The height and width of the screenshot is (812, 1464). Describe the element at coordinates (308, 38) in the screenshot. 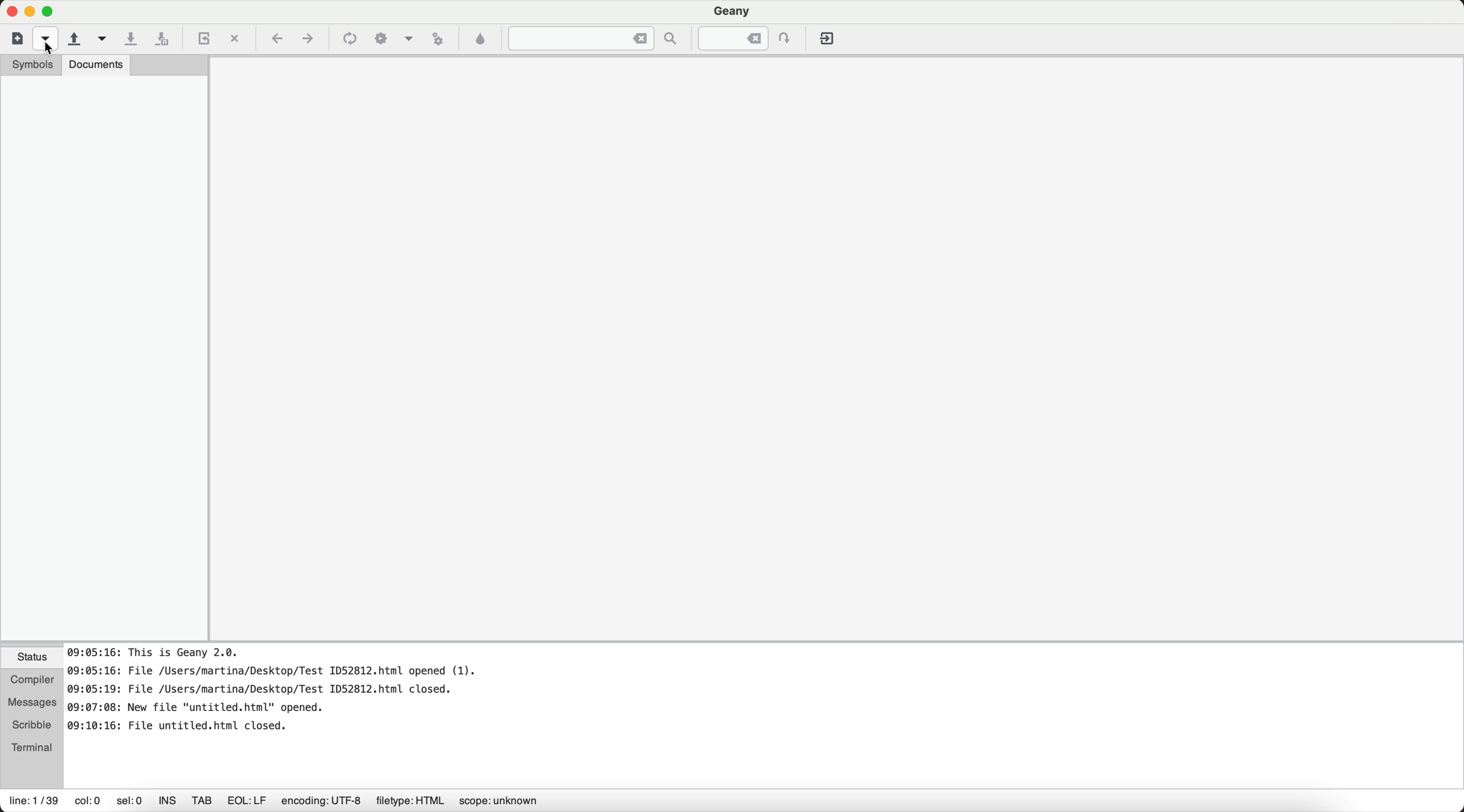

I see `navigate foward` at that location.